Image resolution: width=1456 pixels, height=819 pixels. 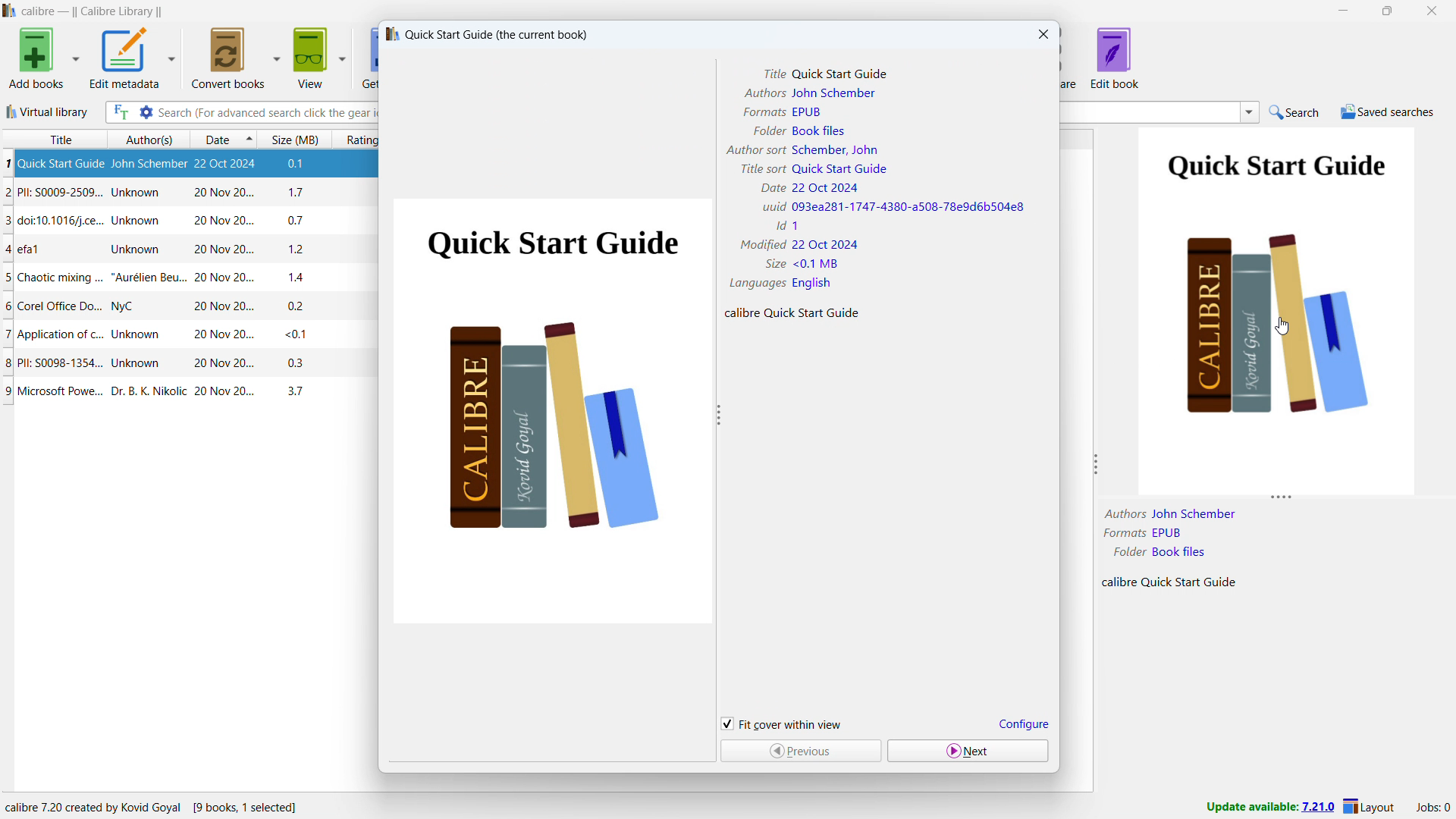 I want to click on previous book, so click(x=799, y=752).